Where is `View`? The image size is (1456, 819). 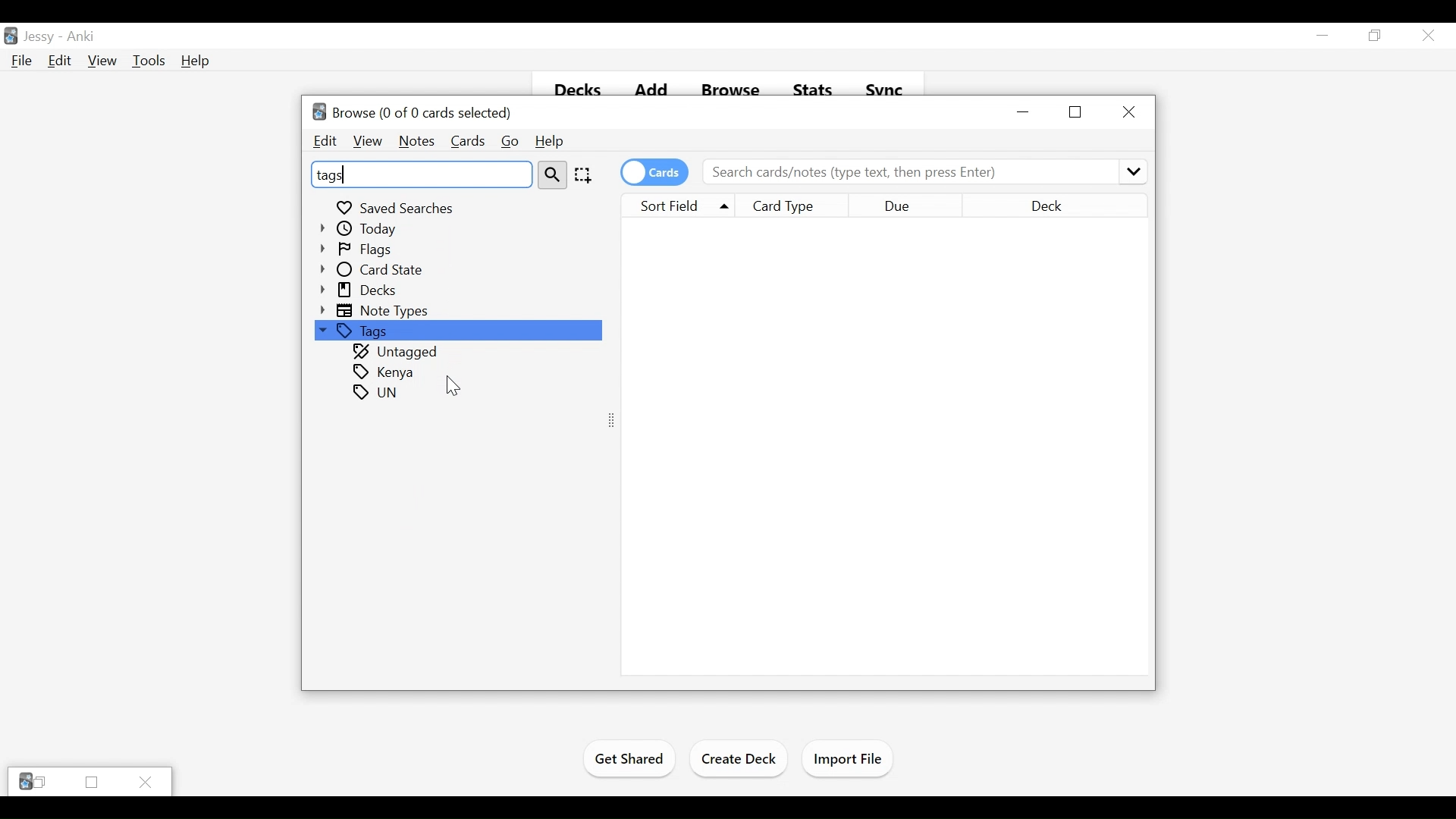
View is located at coordinates (102, 61).